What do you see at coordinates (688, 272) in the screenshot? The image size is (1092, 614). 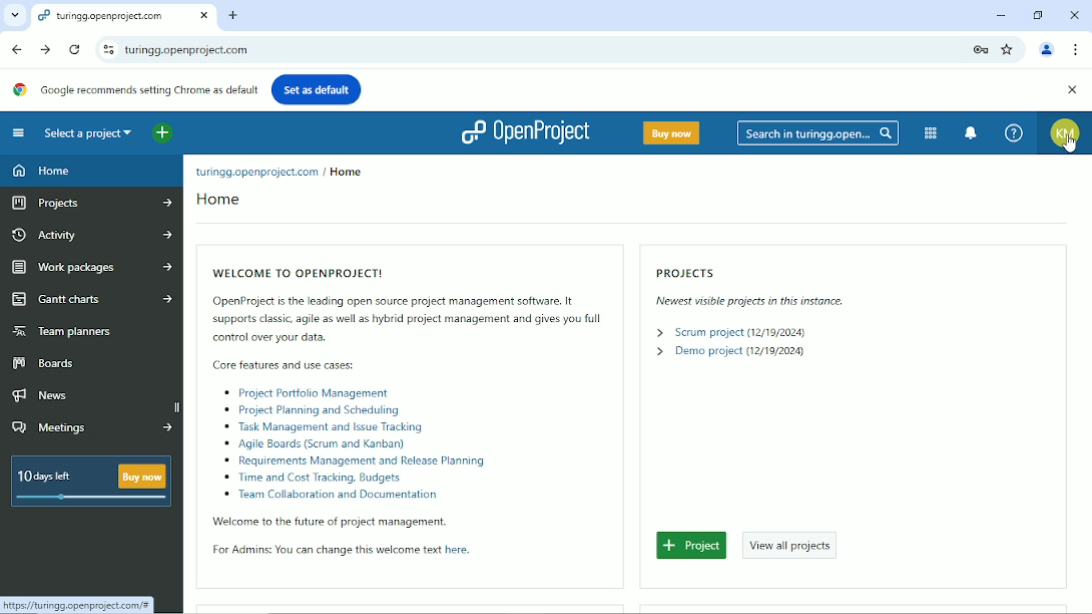 I see `Projects` at bounding box center [688, 272].